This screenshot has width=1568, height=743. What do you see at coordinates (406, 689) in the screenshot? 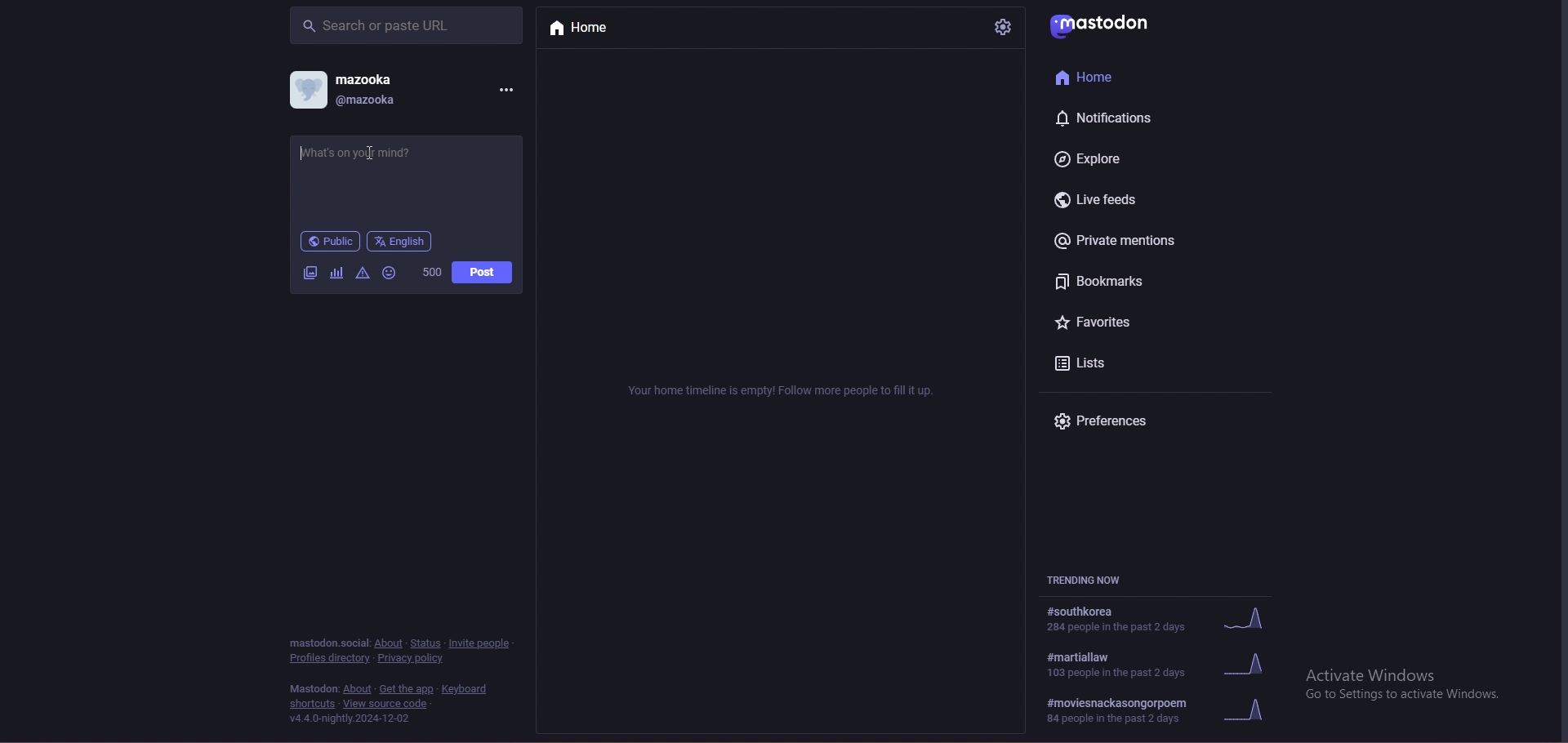
I see `heat add the` at bounding box center [406, 689].